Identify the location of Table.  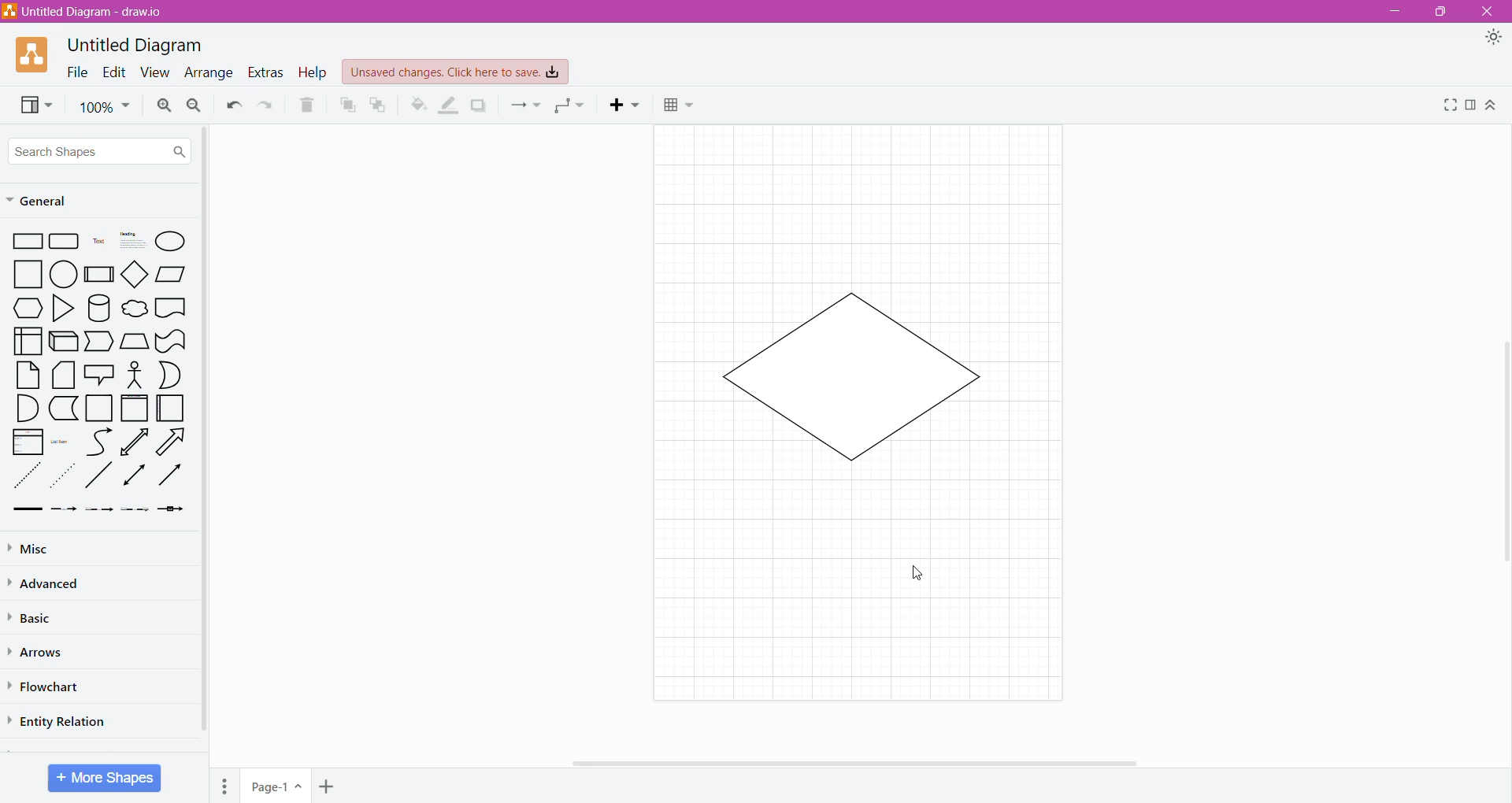
(680, 105).